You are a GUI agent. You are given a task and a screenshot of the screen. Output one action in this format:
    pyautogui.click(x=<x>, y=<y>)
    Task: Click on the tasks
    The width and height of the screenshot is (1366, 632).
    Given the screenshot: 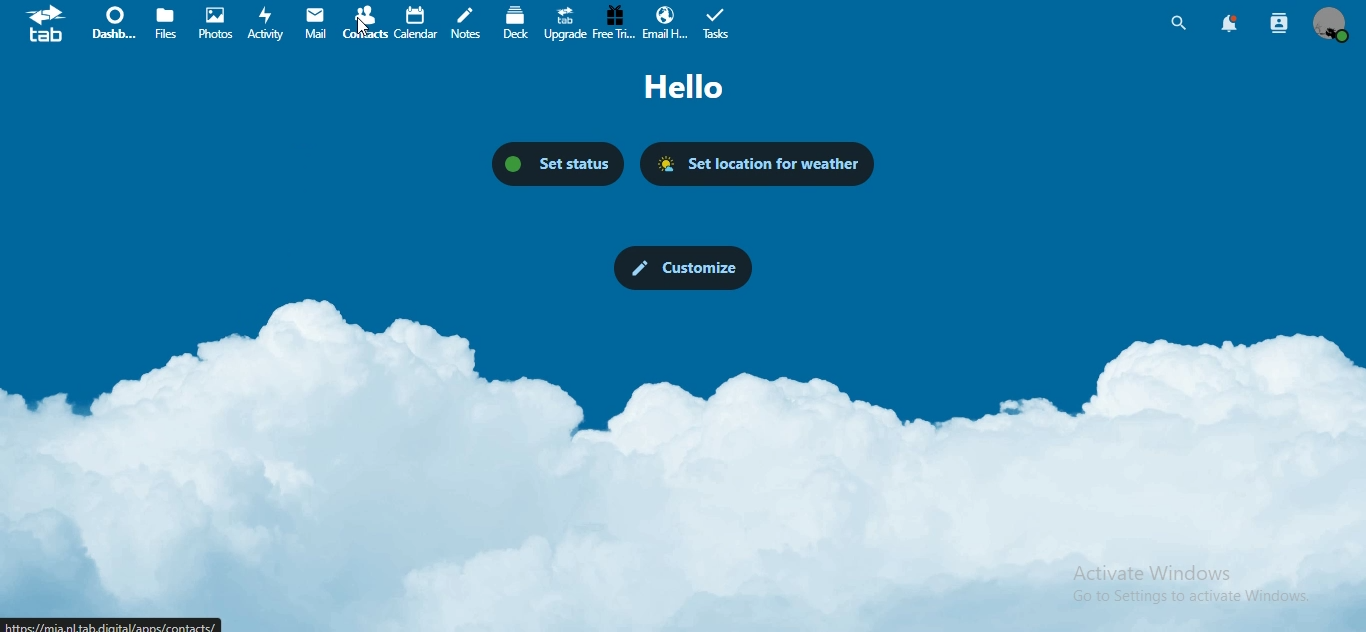 What is the action you would take?
    pyautogui.click(x=719, y=22)
    